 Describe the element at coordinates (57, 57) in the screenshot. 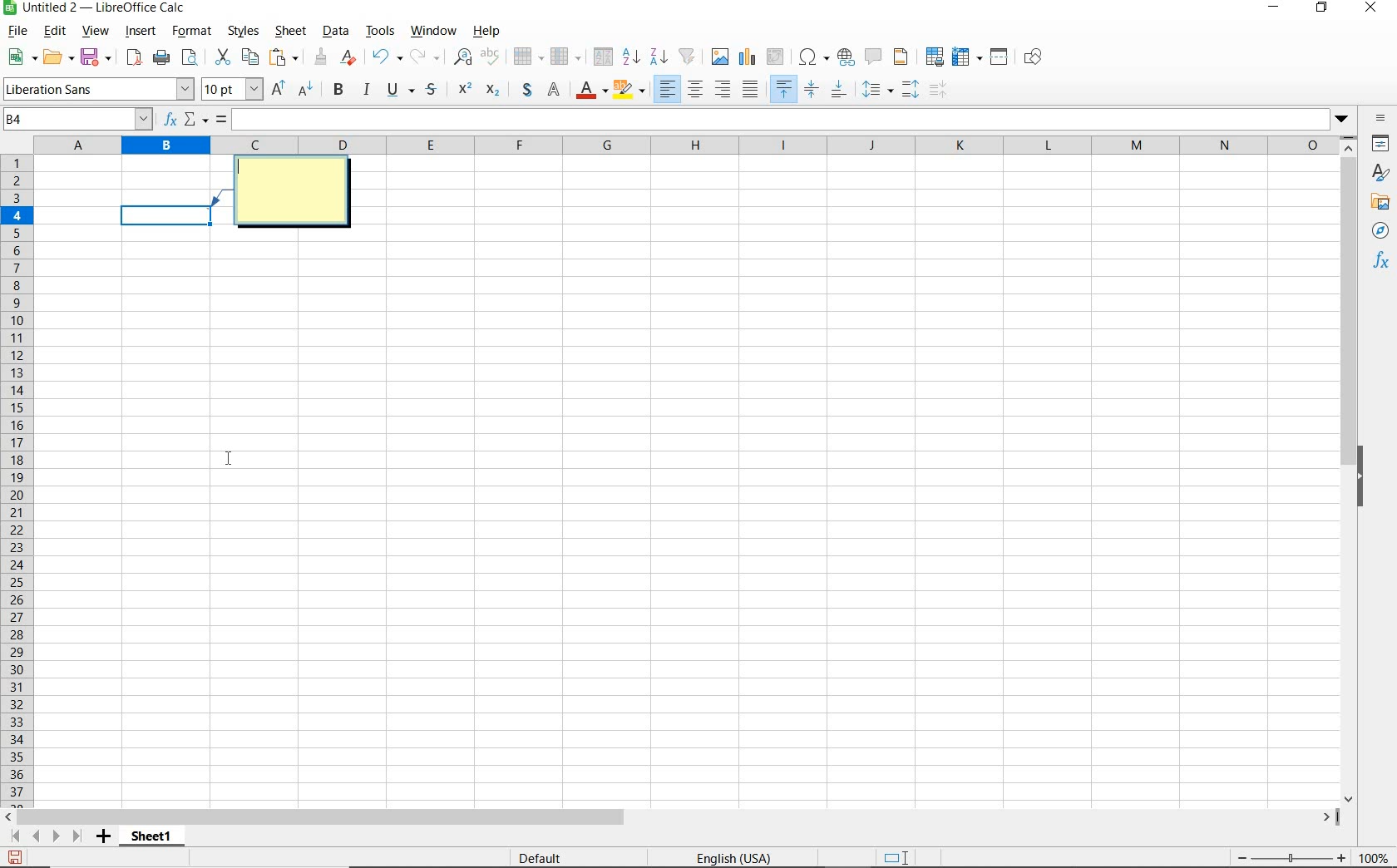

I see `open` at that location.